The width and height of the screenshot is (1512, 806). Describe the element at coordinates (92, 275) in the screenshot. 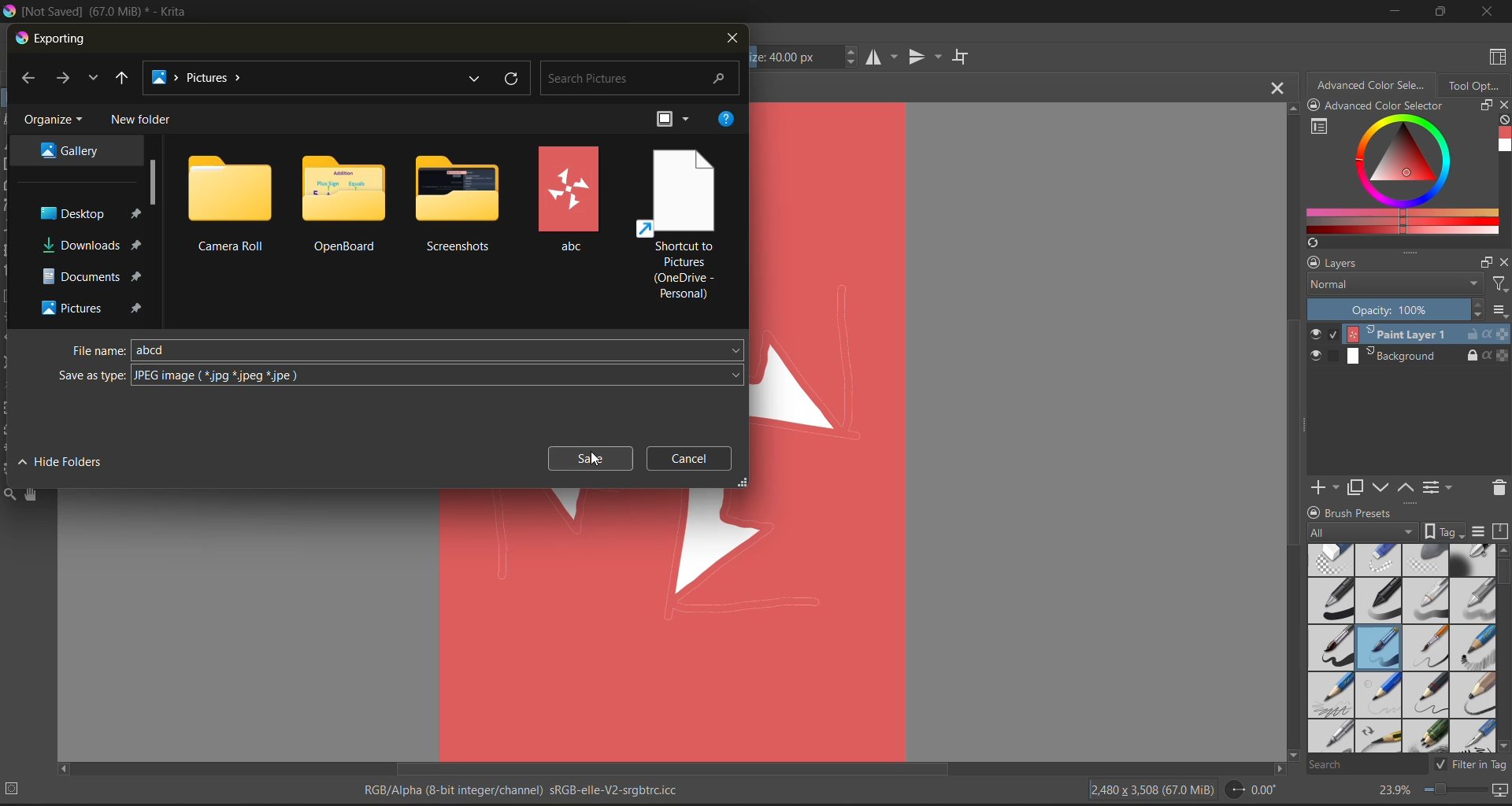

I see `file destination` at that location.